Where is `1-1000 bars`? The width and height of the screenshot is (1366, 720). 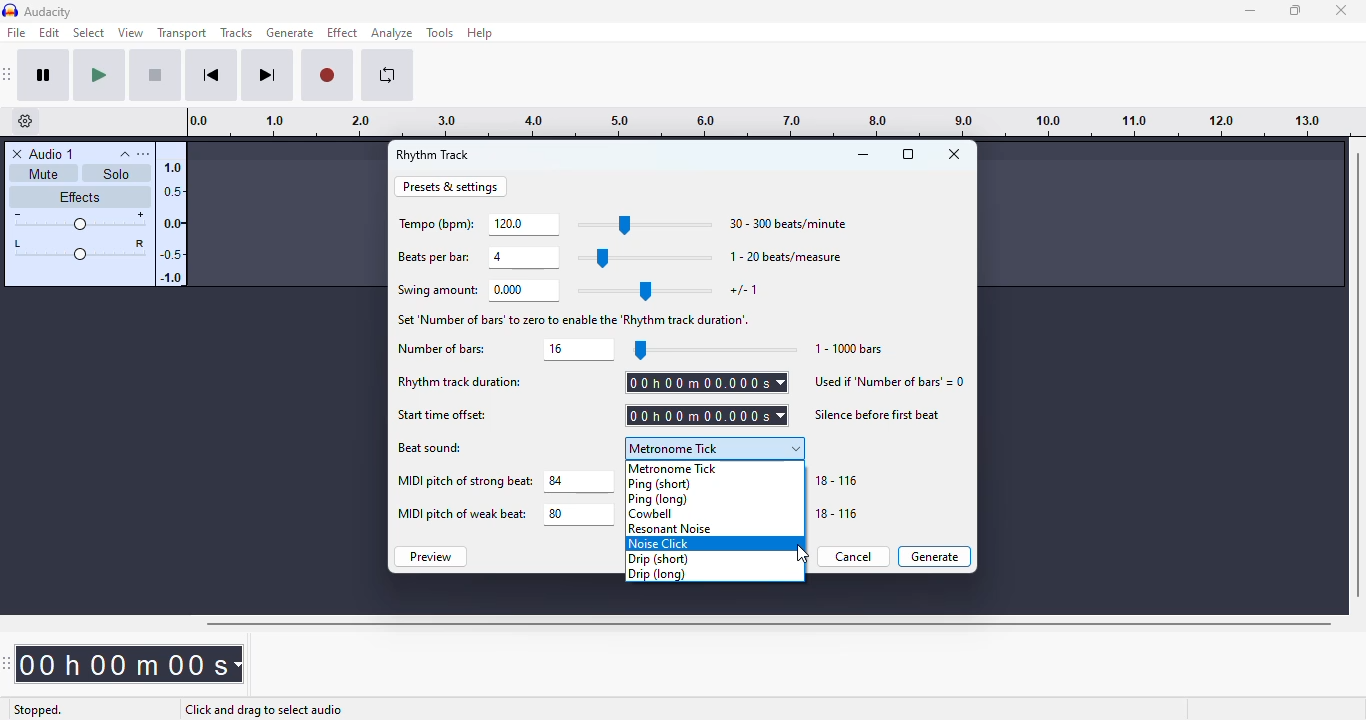 1-1000 bars is located at coordinates (850, 349).